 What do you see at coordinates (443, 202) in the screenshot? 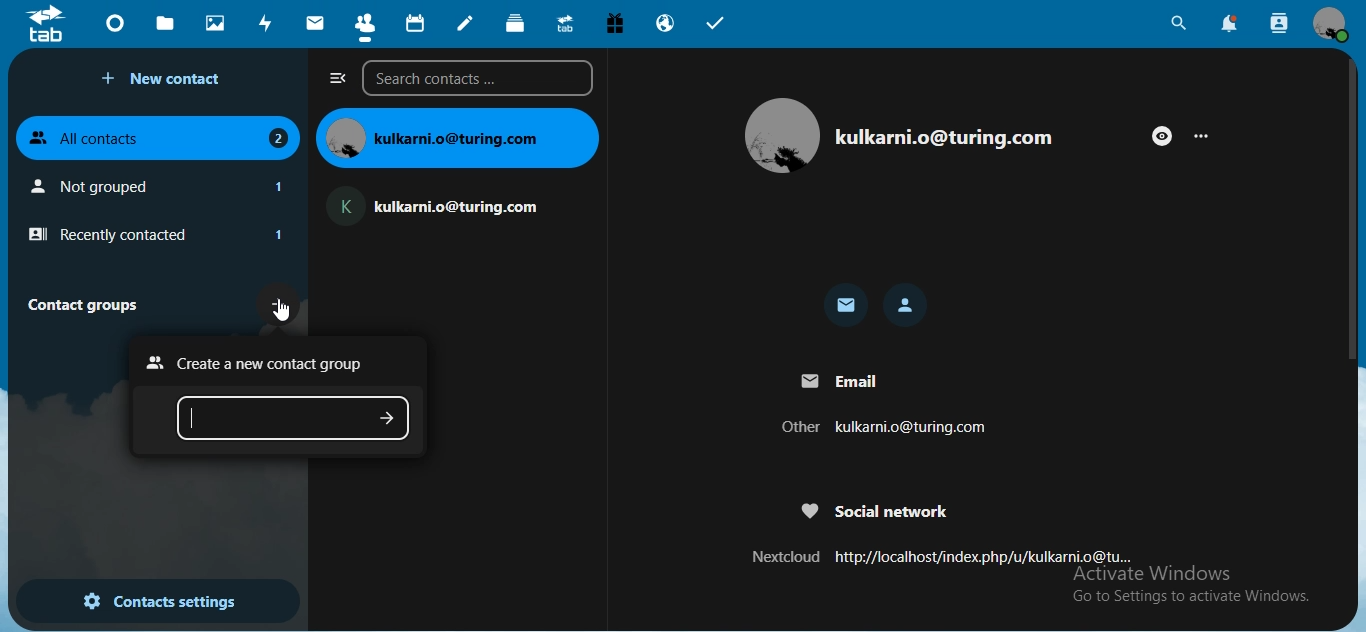
I see `kulkarni.o@turing.com` at bounding box center [443, 202].